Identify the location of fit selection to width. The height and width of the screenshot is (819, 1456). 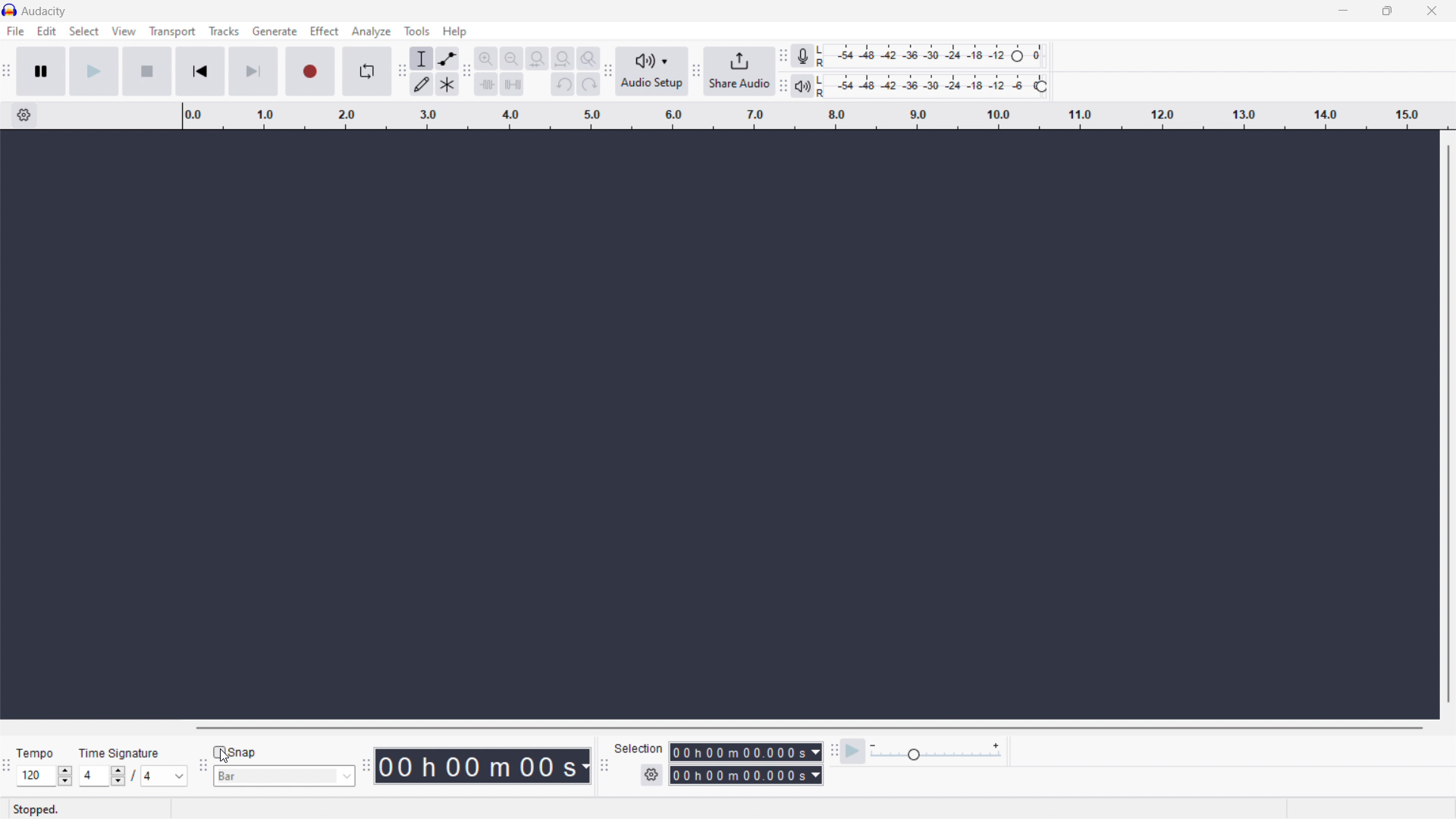
(537, 58).